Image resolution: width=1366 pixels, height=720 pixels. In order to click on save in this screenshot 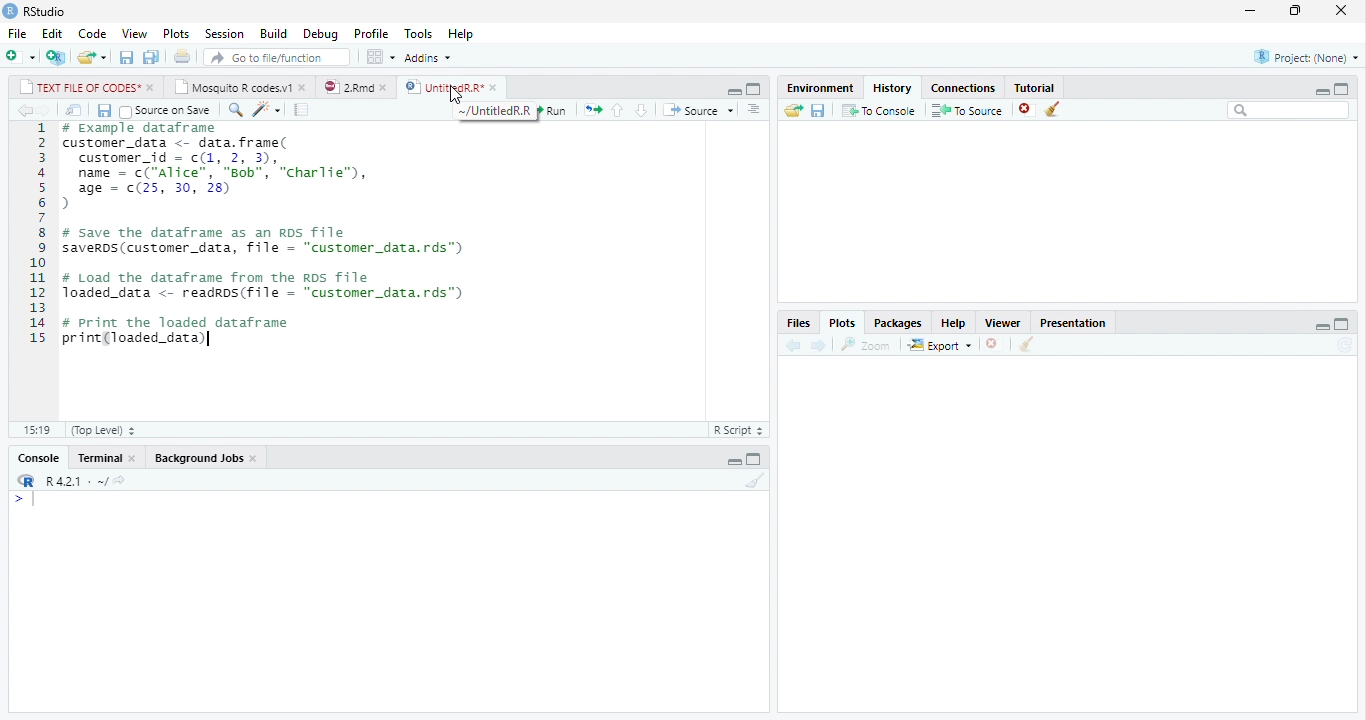, I will do `click(127, 57)`.